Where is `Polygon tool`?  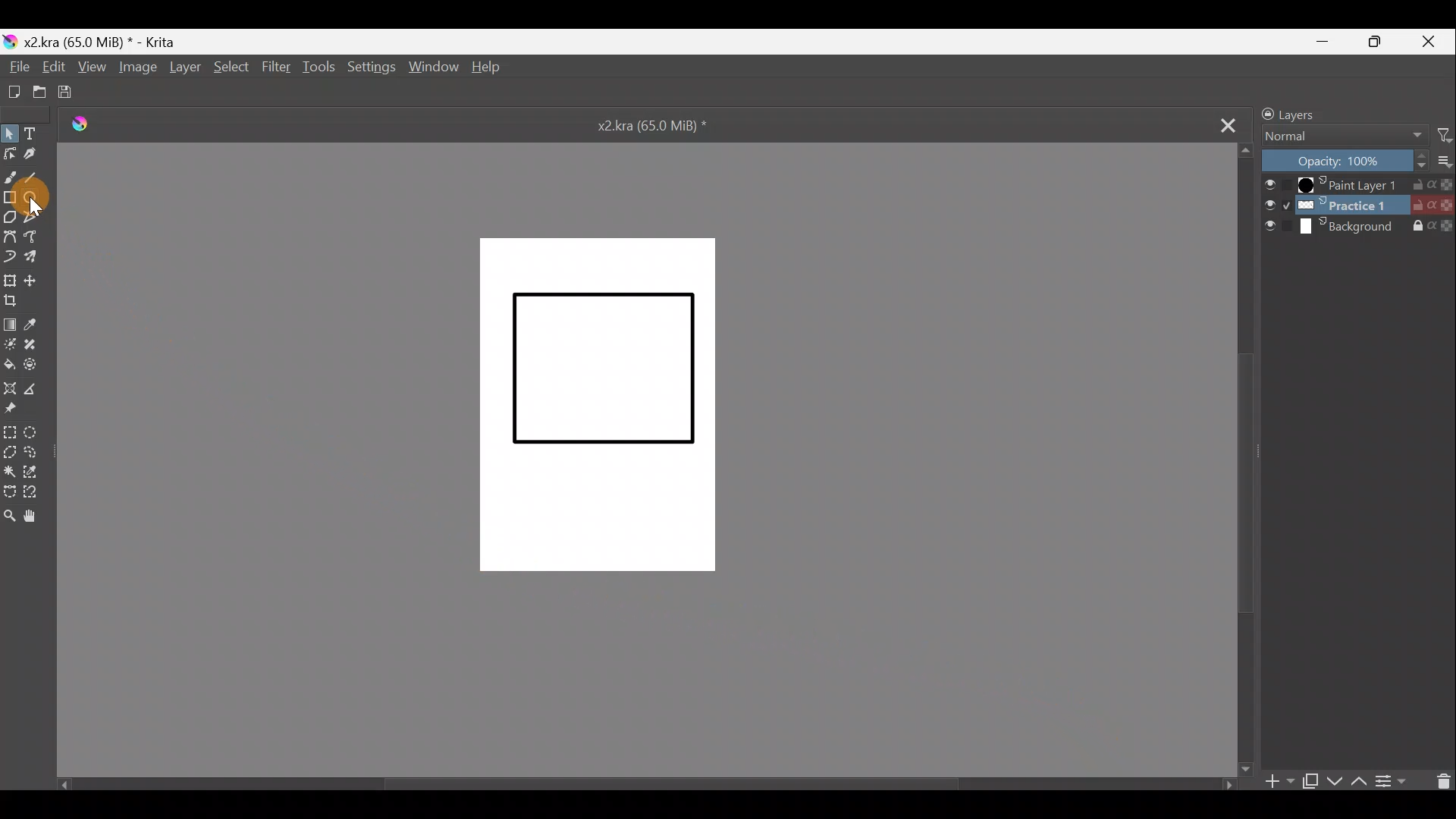
Polygon tool is located at coordinates (9, 216).